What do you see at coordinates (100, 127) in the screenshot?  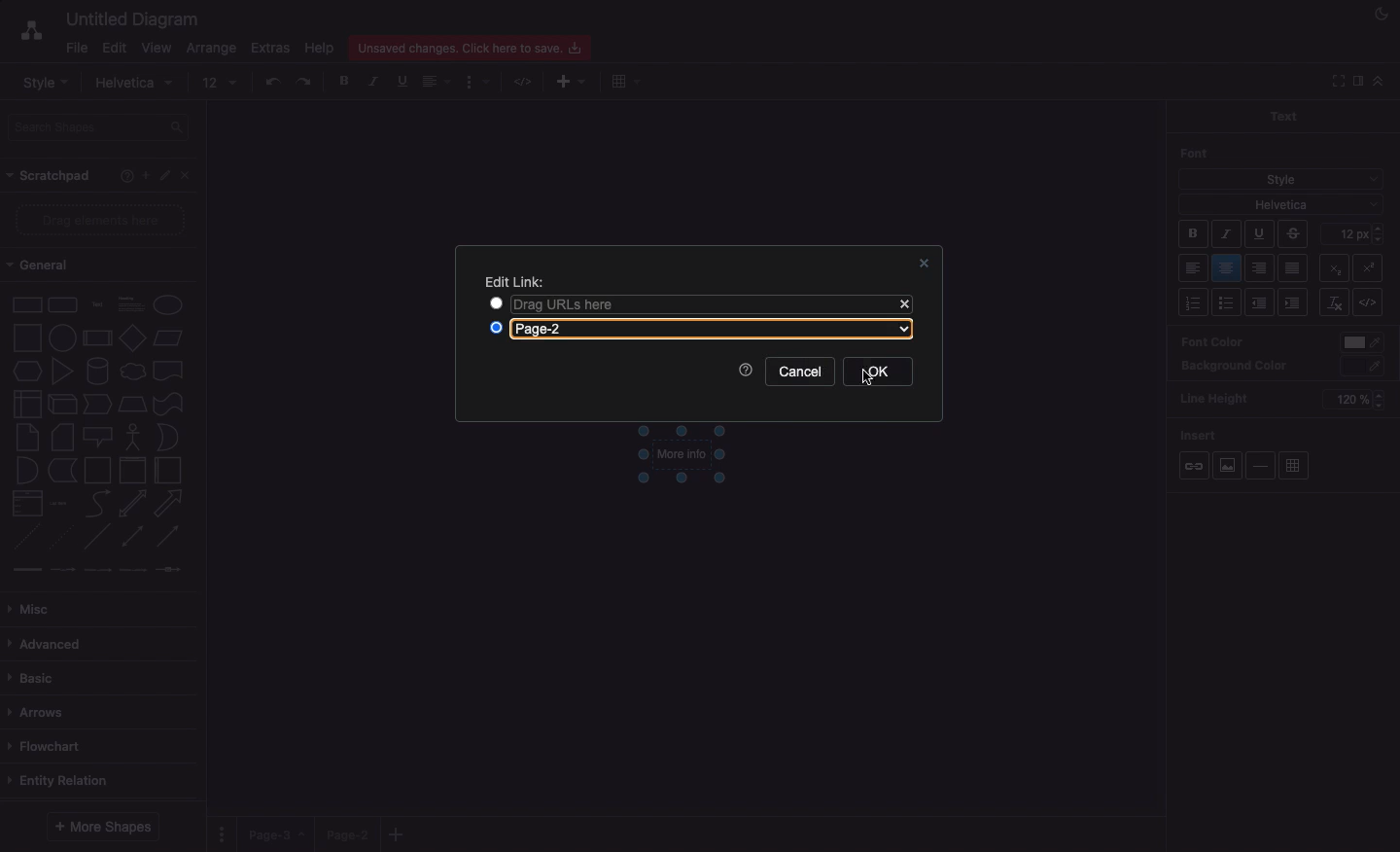 I see `Search shapes` at bounding box center [100, 127].